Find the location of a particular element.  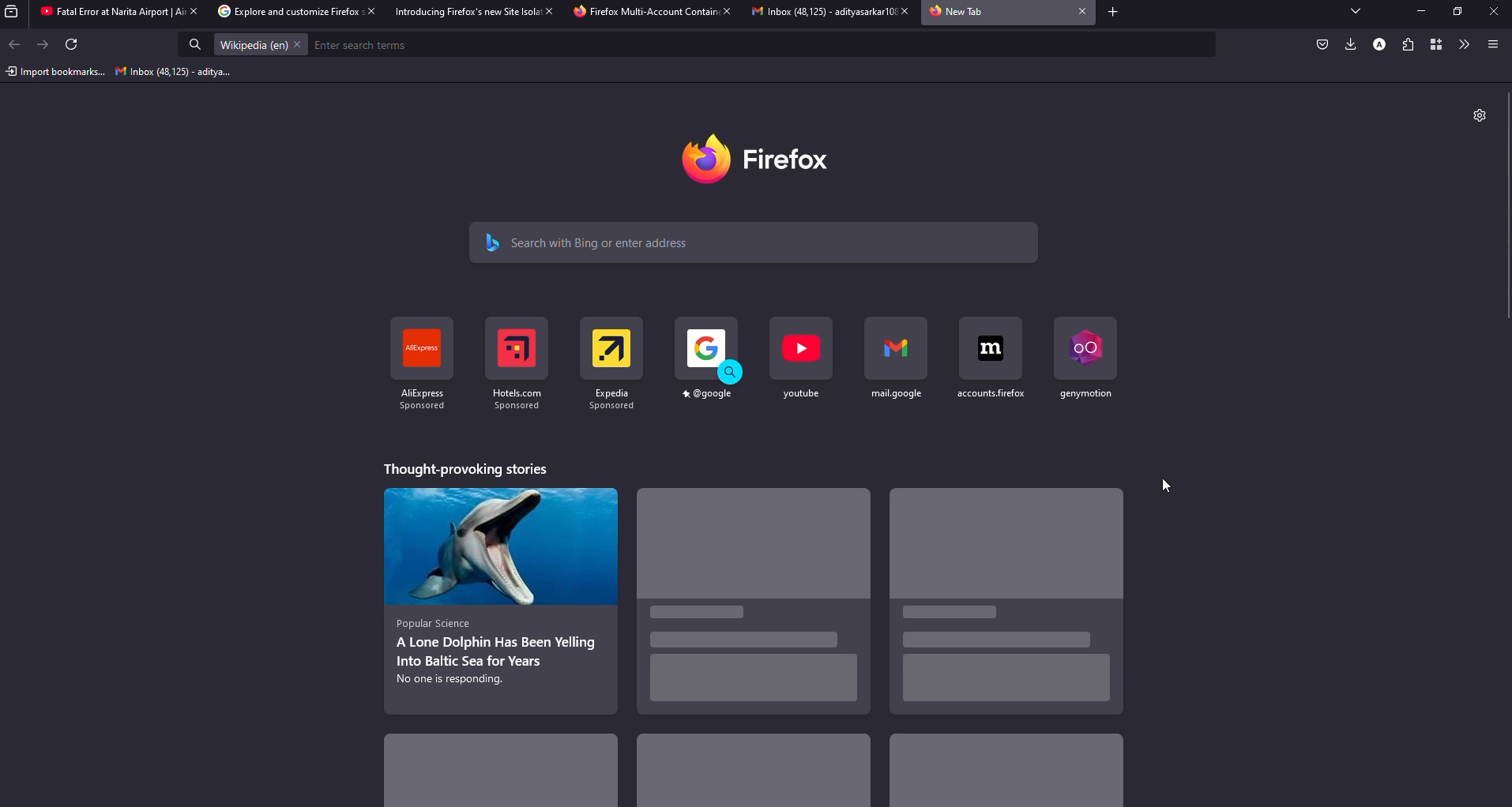

search is located at coordinates (196, 46).